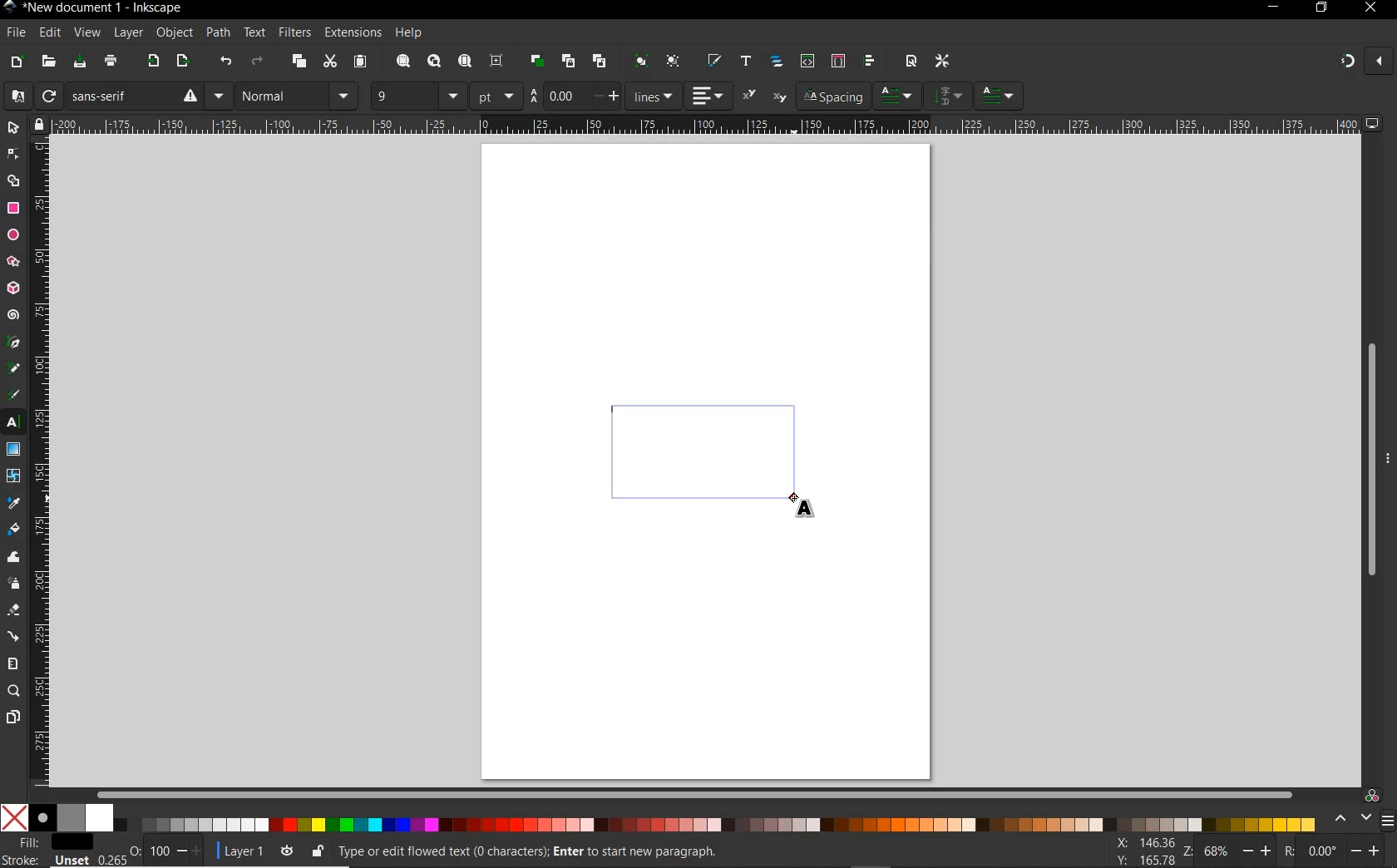 The height and width of the screenshot is (868, 1397). I want to click on new, so click(16, 62).